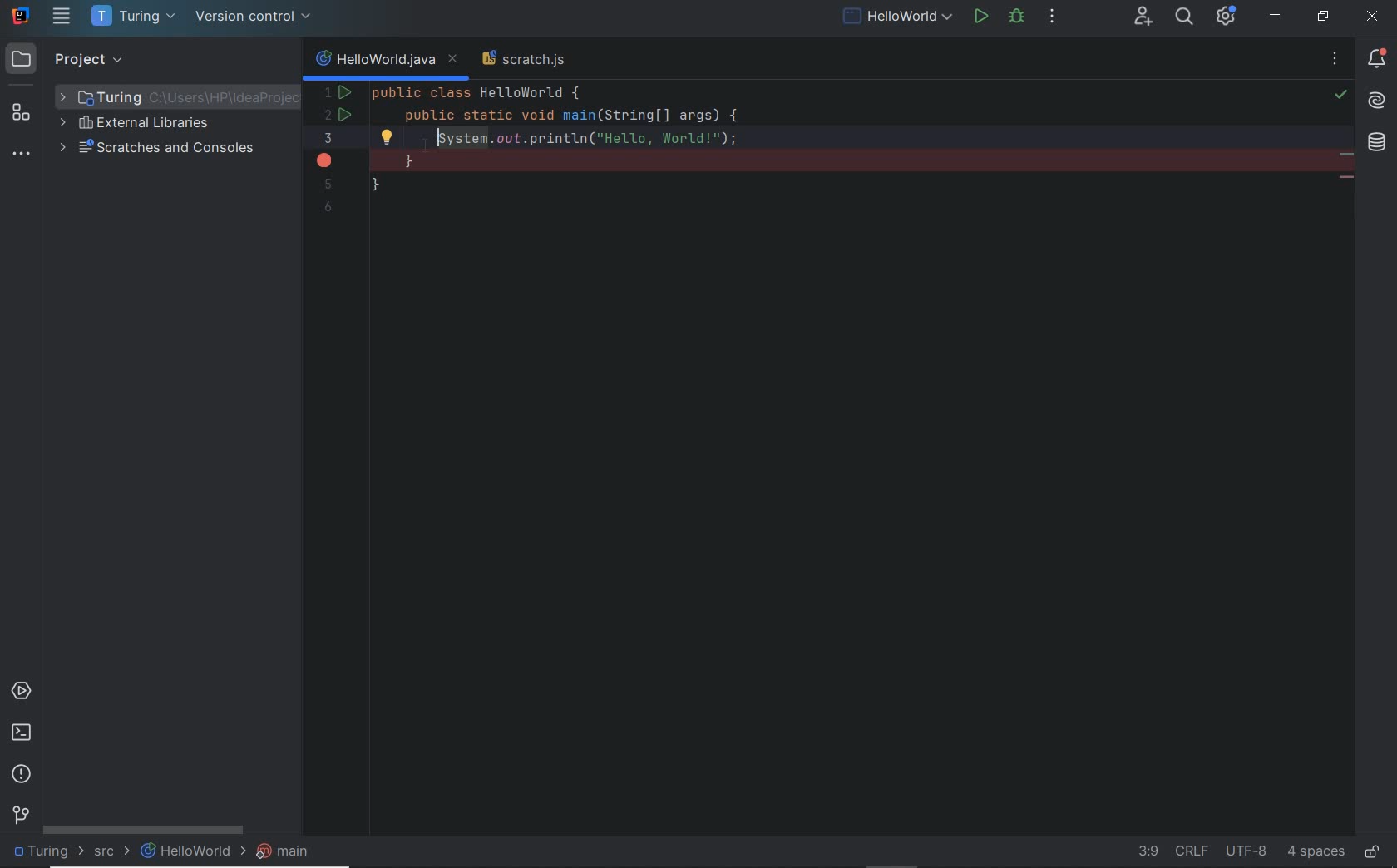 The width and height of the screenshot is (1397, 868). I want to click on external libraries, so click(142, 125).